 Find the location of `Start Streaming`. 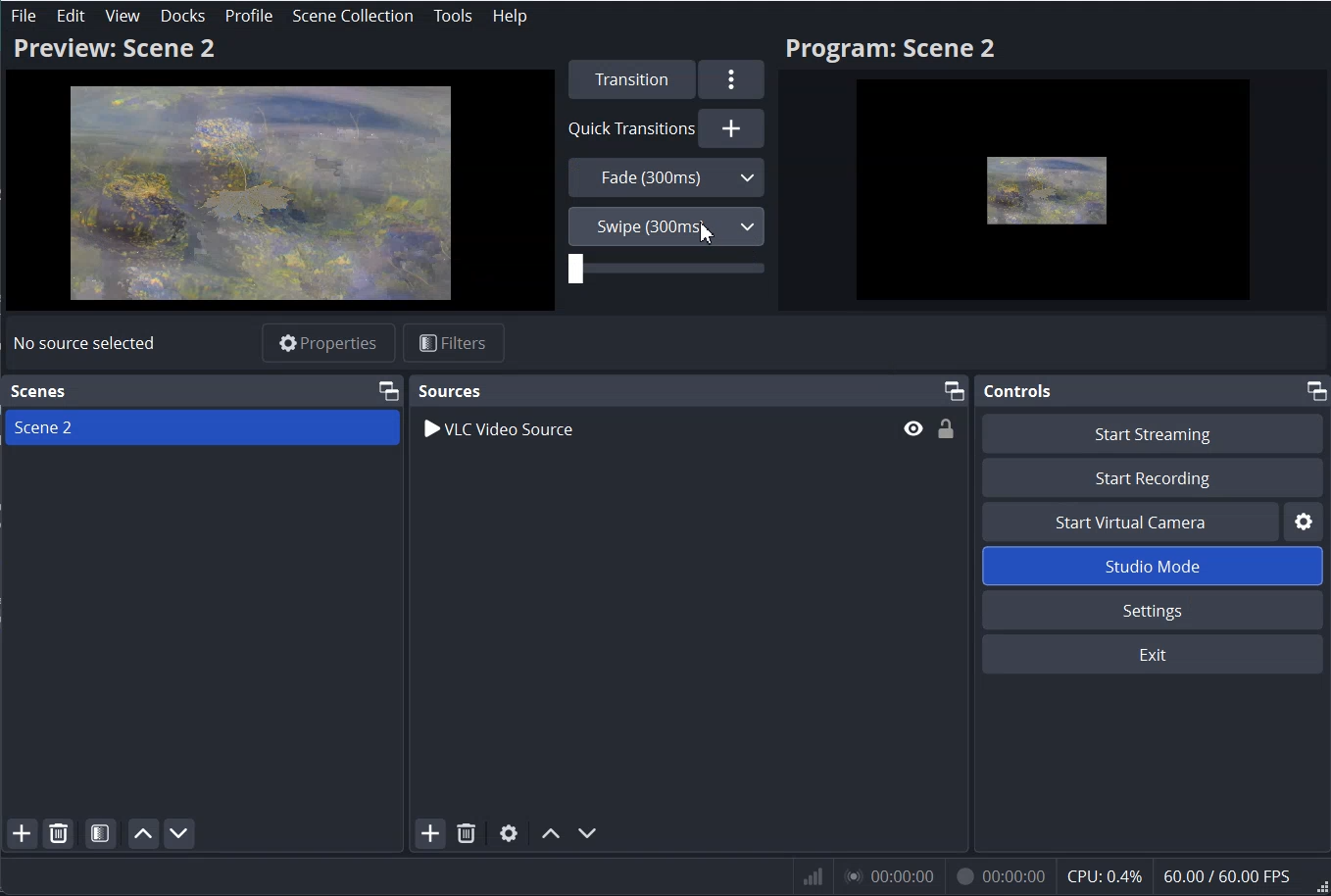

Start Streaming is located at coordinates (1156, 431).